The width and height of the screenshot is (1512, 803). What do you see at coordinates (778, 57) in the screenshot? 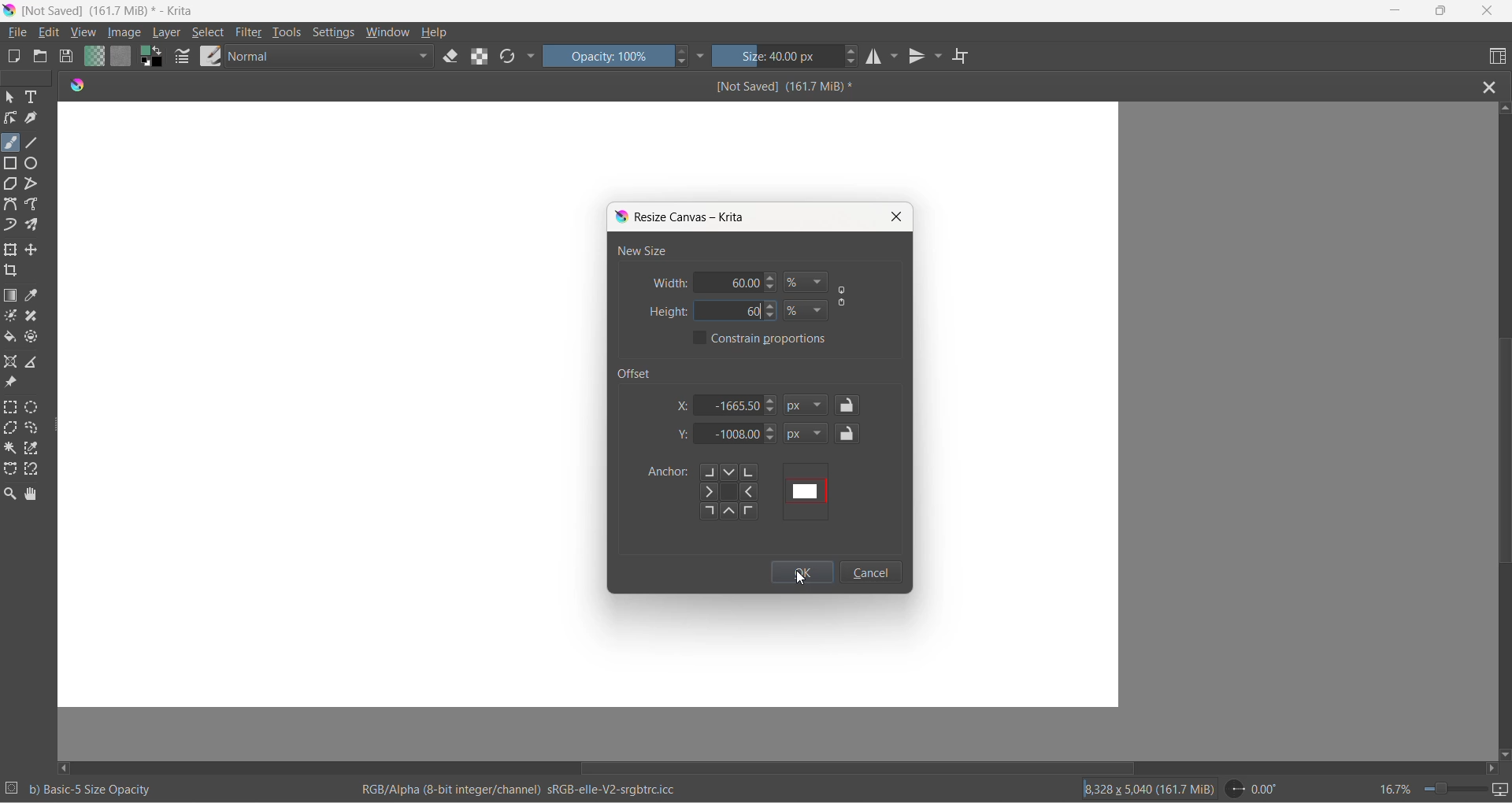
I see `size` at bounding box center [778, 57].